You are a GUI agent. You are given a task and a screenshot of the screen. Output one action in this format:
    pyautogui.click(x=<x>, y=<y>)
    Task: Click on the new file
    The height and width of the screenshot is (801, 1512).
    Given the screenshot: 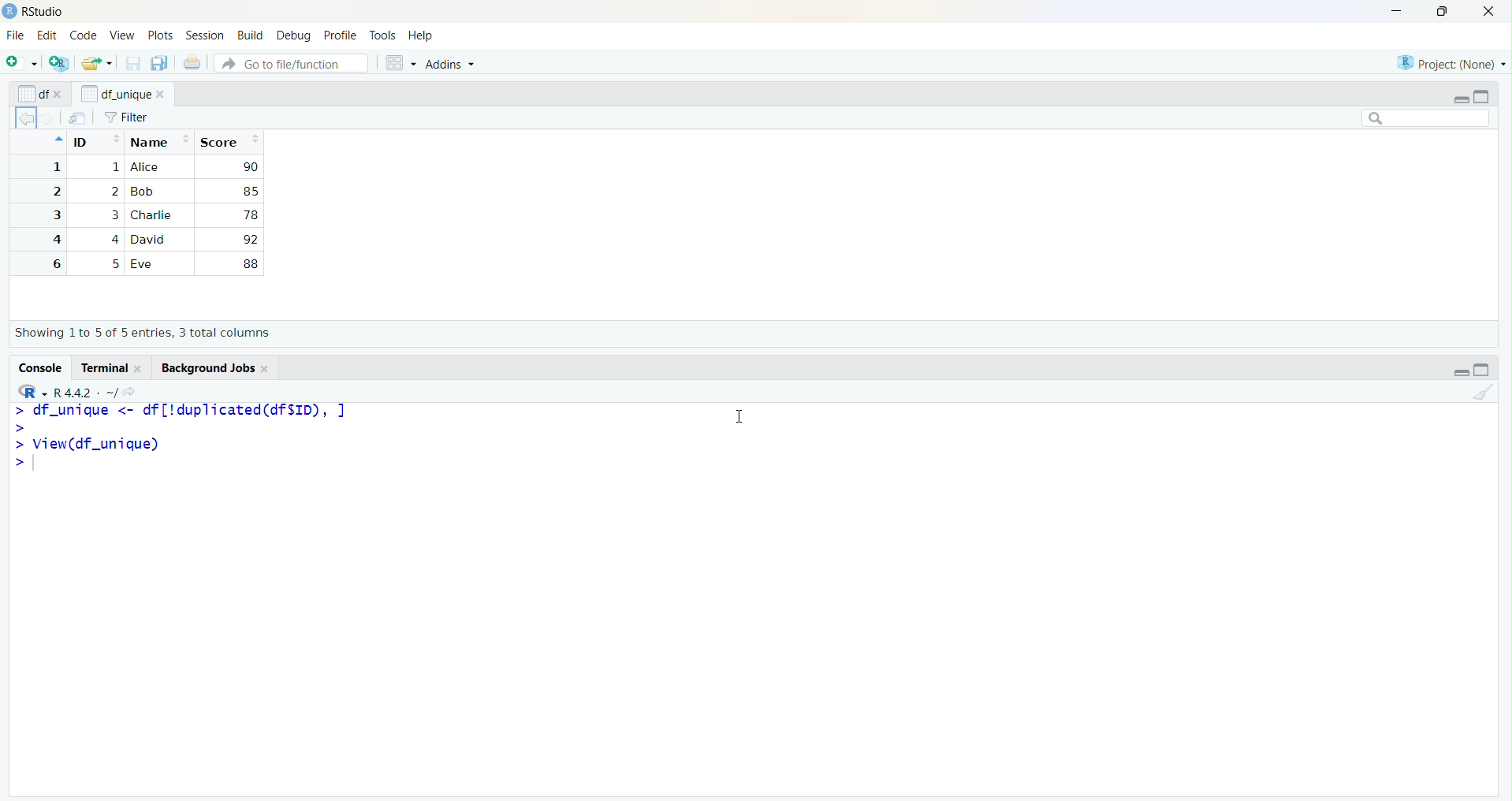 What is the action you would take?
    pyautogui.click(x=23, y=62)
    